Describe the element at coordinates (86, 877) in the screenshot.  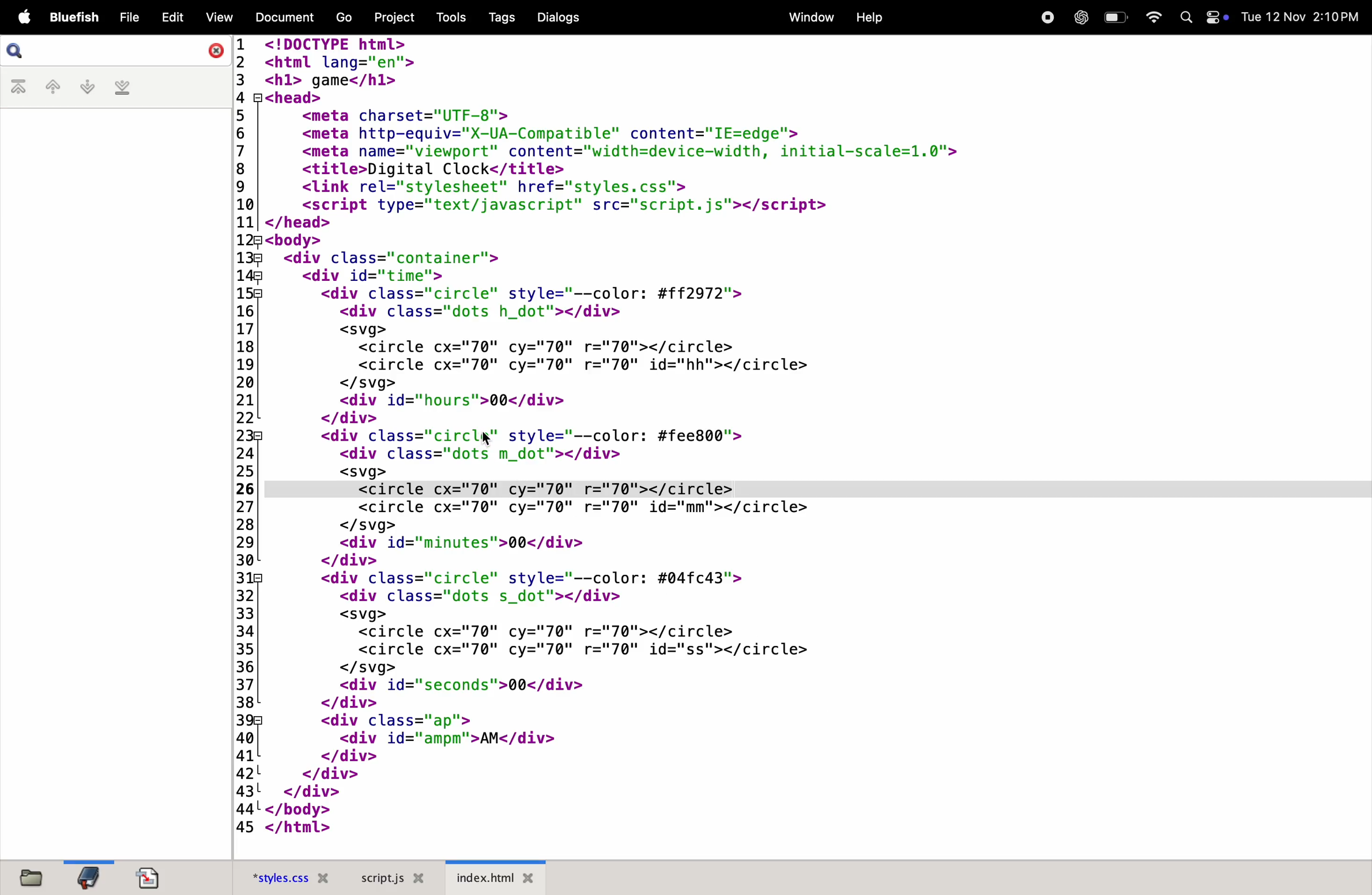
I see `bookmark` at that location.